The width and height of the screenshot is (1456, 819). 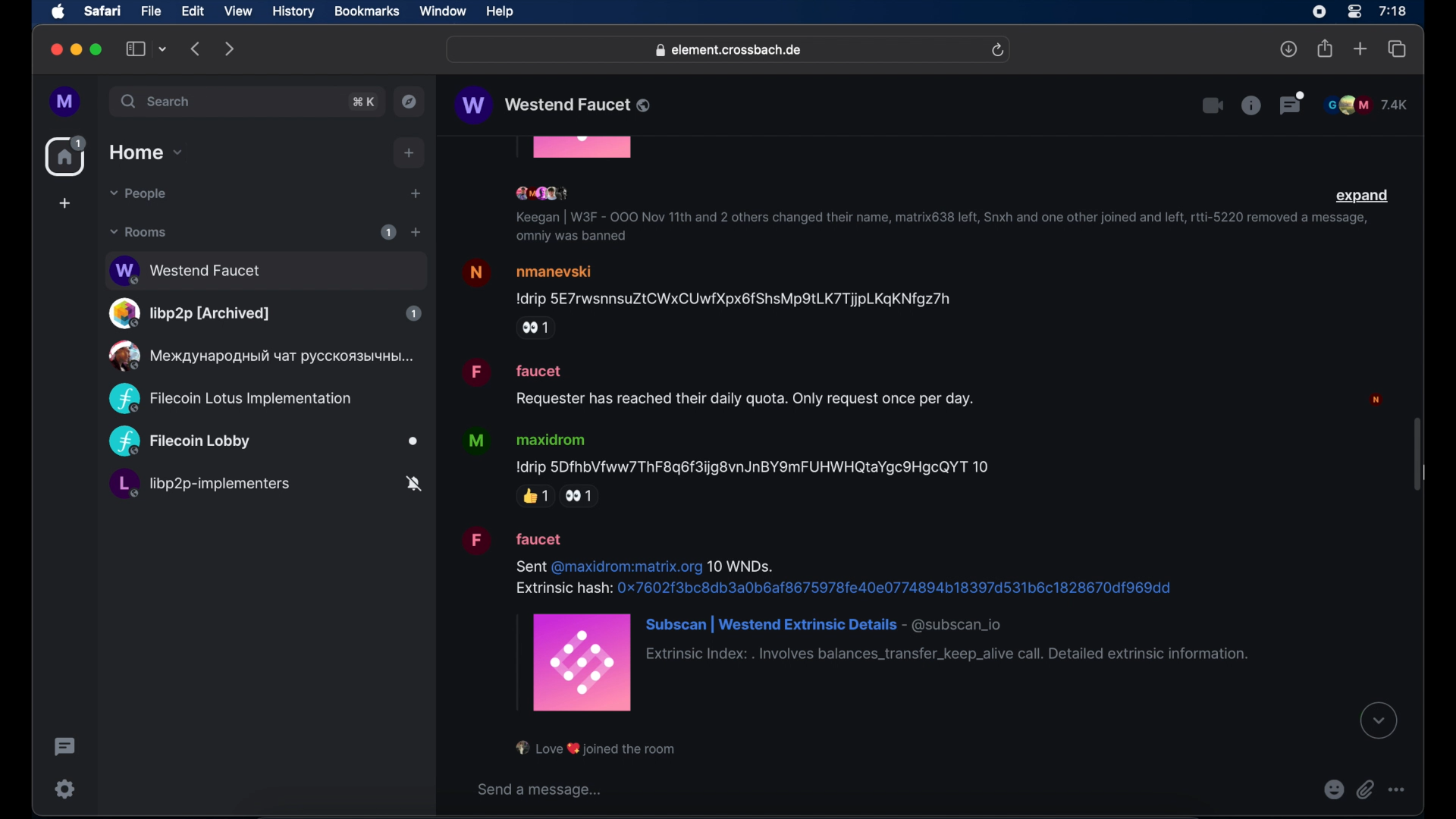 I want to click on control center, so click(x=1353, y=12).